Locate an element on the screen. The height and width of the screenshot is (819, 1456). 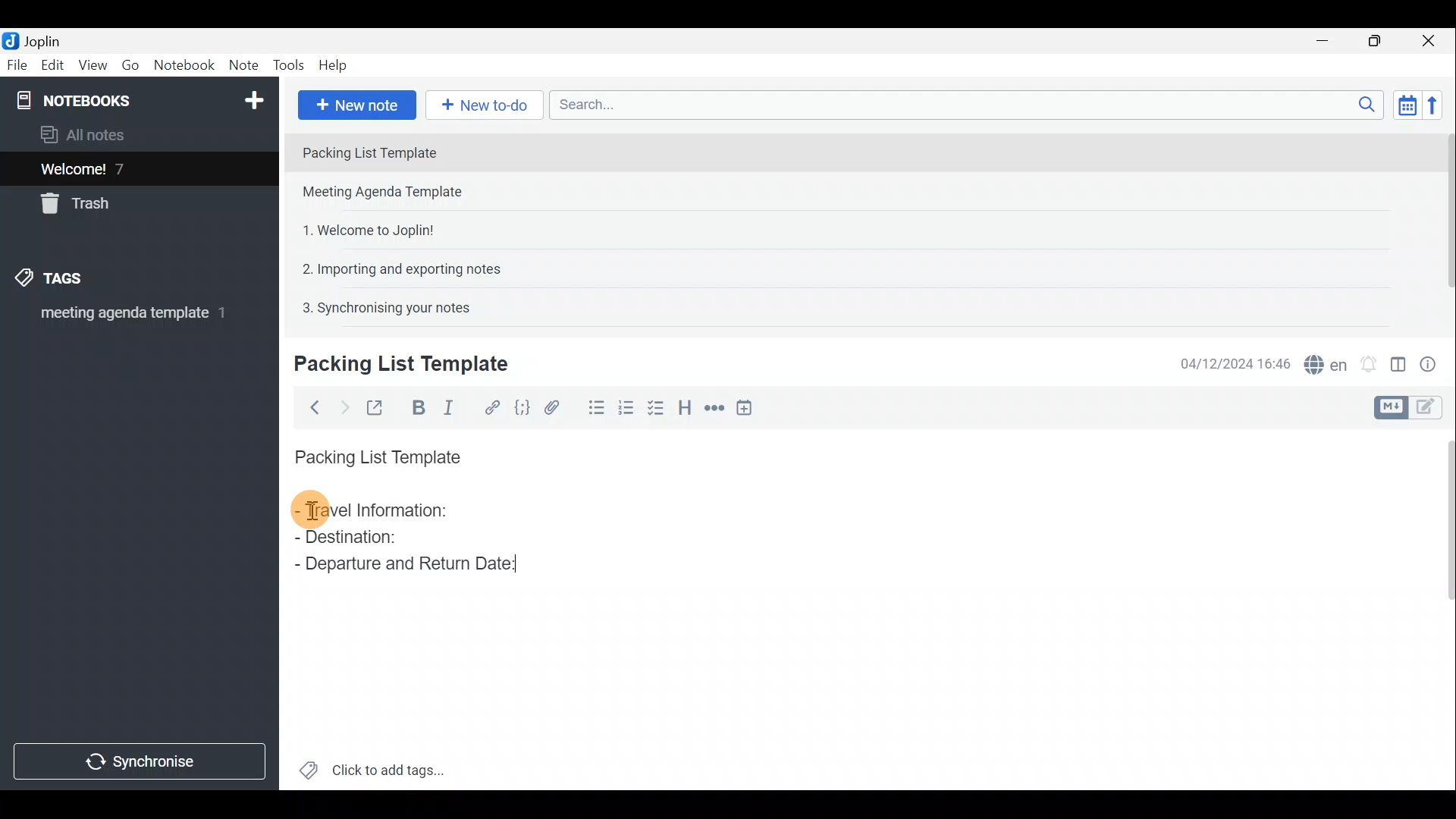
Note properties is located at coordinates (1433, 362).